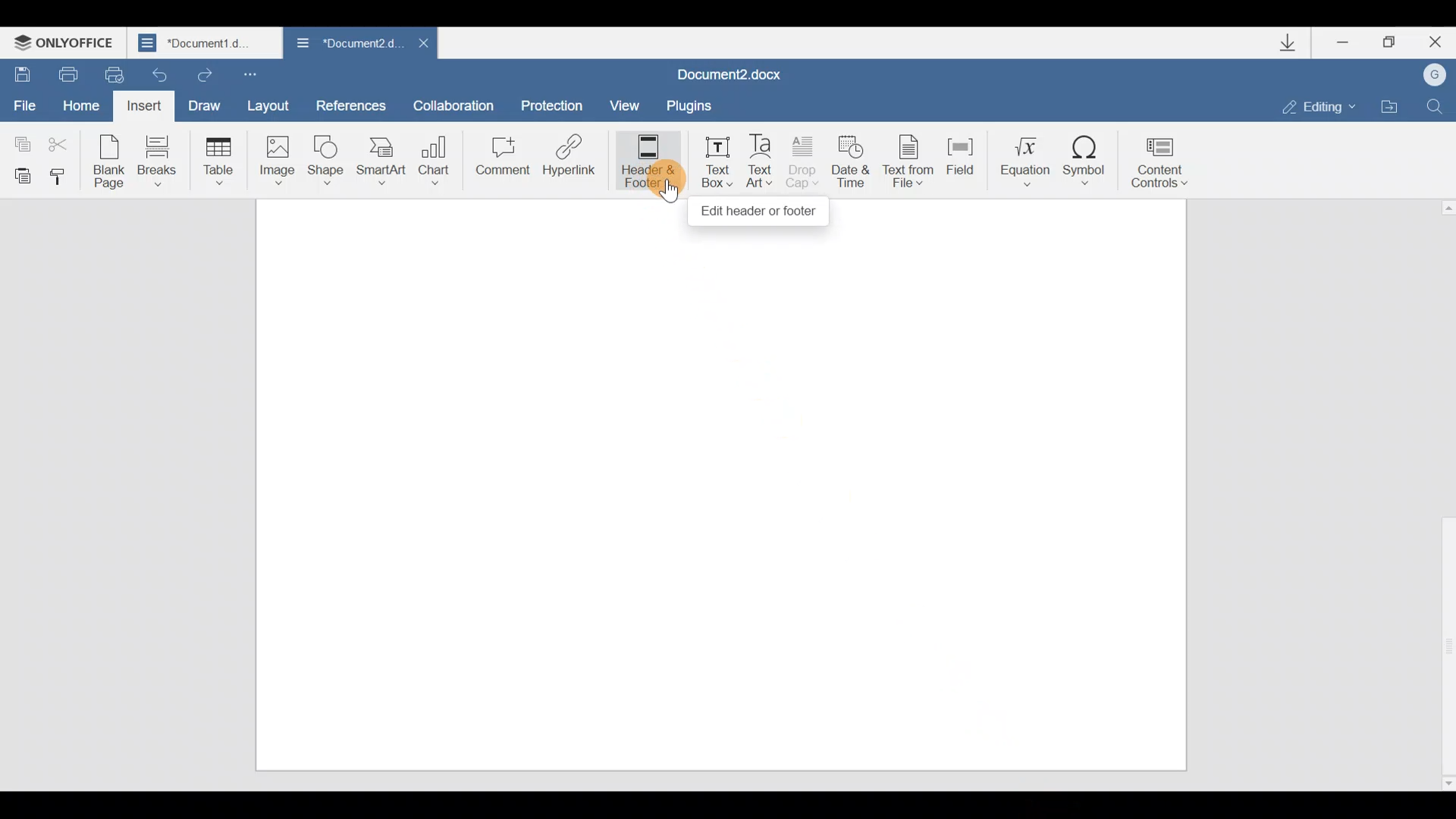  I want to click on Image, so click(277, 160).